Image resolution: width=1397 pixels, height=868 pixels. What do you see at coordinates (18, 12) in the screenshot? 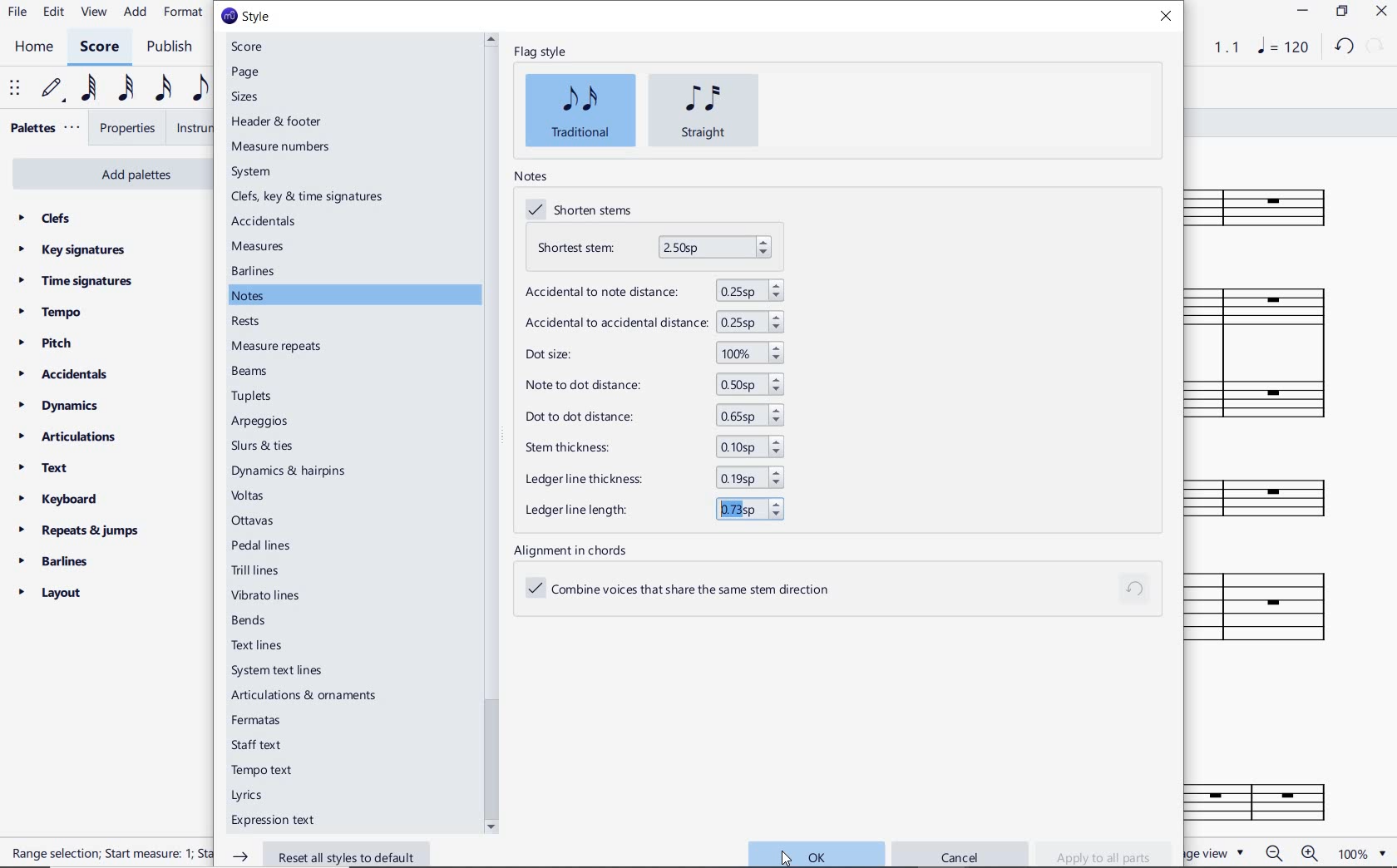
I see `file` at bounding box center [18, 12].